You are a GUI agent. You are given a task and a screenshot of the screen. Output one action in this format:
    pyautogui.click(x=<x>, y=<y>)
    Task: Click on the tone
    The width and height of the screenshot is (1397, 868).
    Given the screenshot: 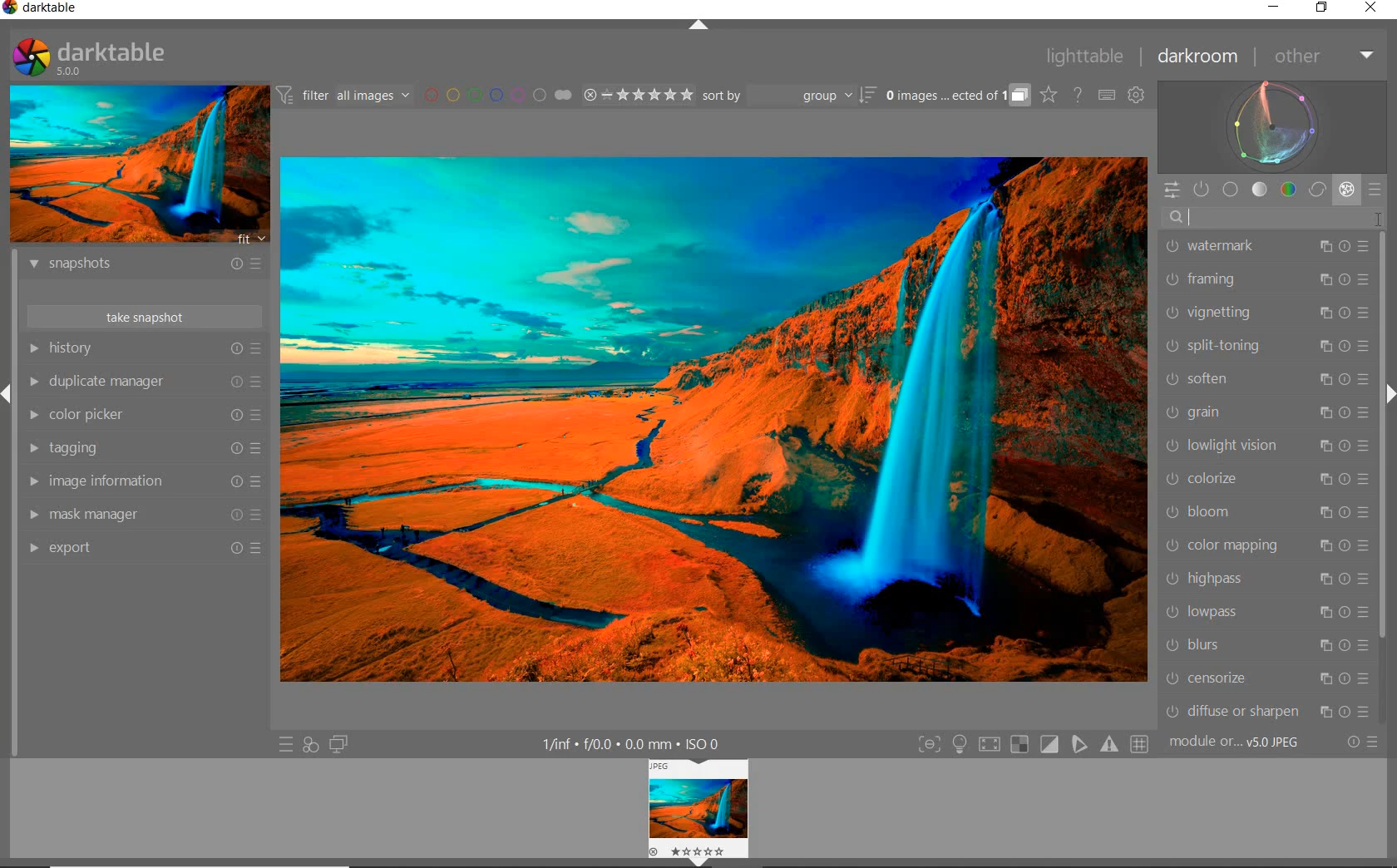 What is the action you would take?
    pyautogui.click(x=1260, y=190)
    